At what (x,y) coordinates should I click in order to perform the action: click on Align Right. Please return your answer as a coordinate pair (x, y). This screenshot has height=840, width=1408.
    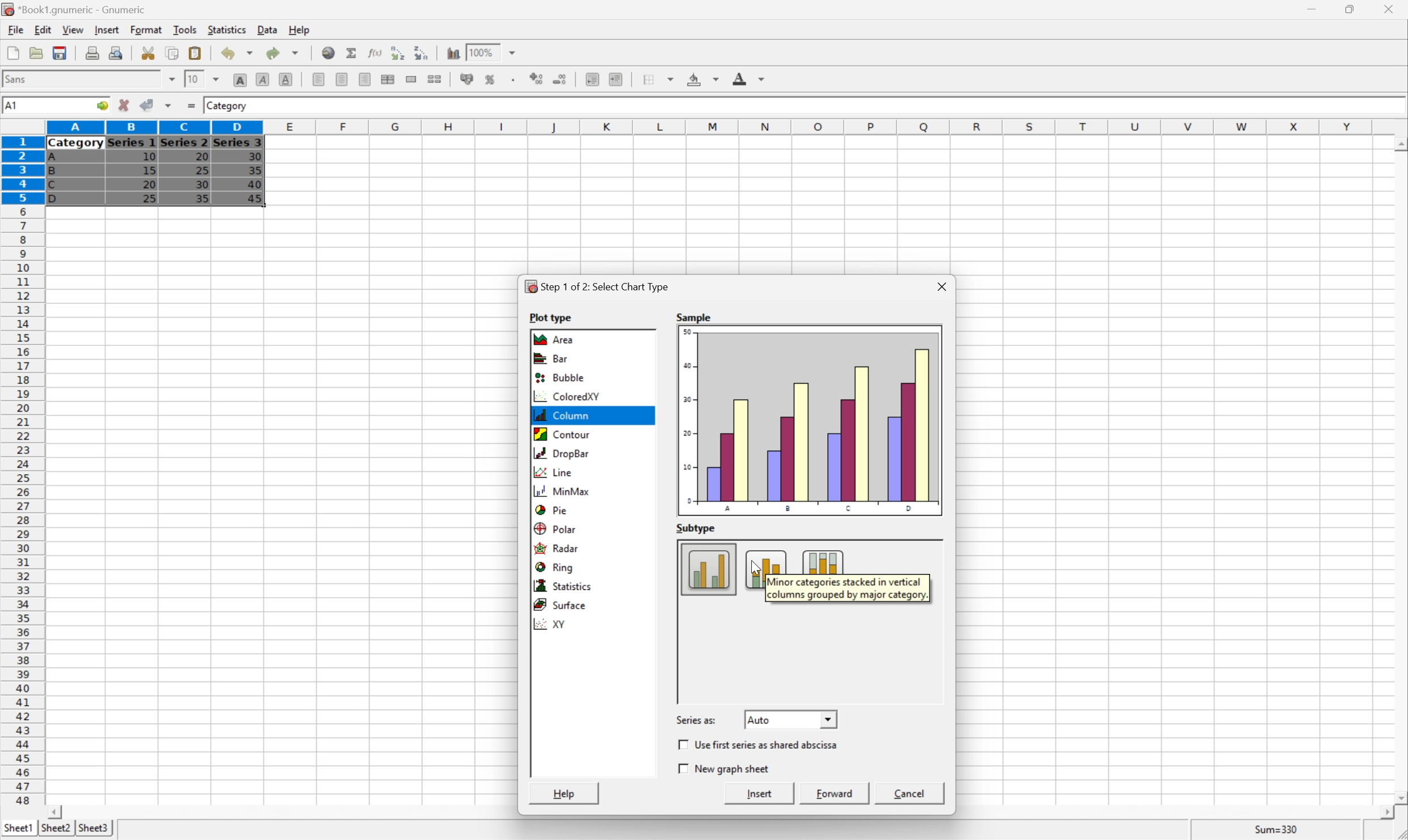
    Looking at the image, I should click on (365, 80).